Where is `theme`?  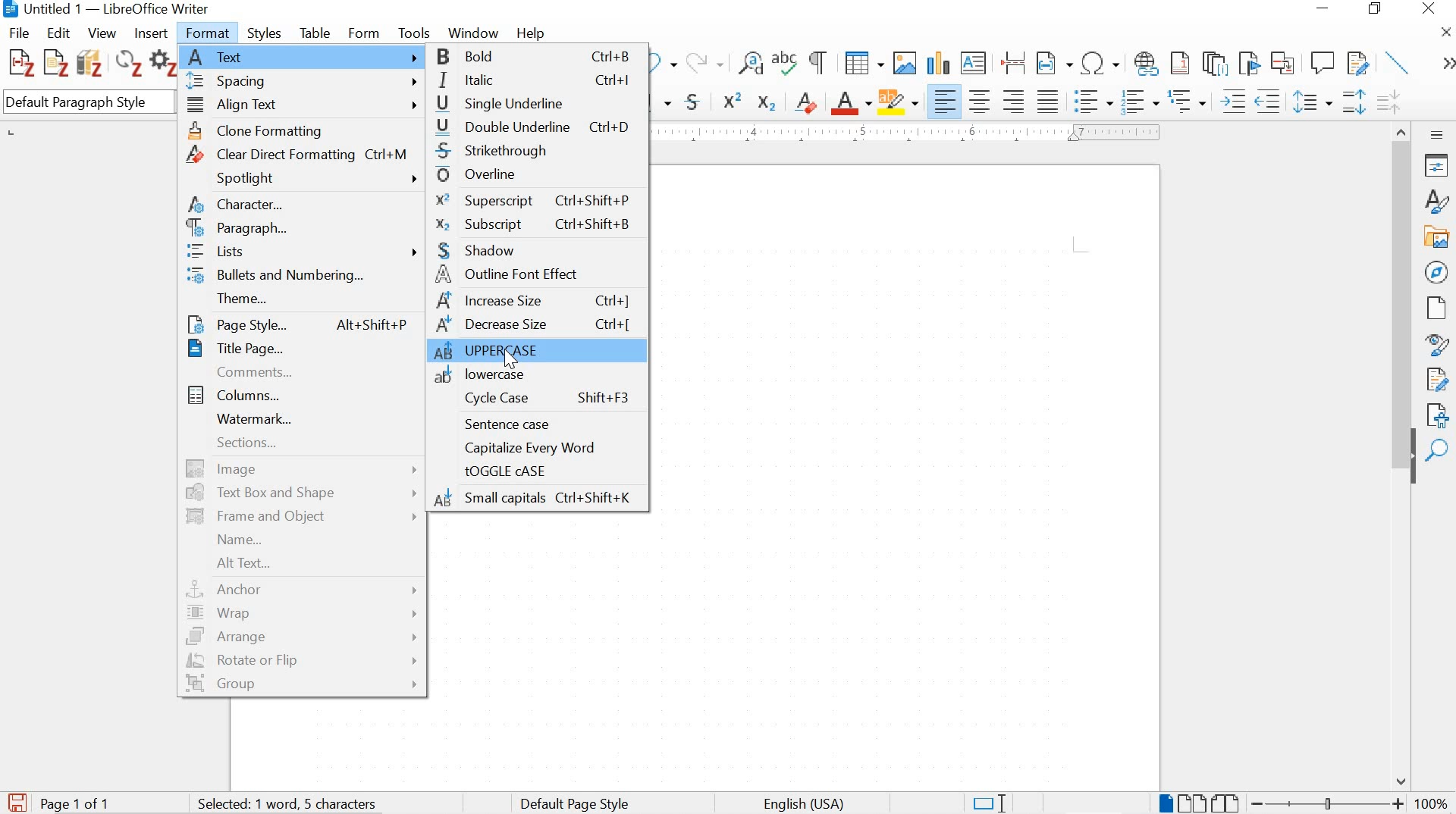 theme is located at coordinates (301, 299).